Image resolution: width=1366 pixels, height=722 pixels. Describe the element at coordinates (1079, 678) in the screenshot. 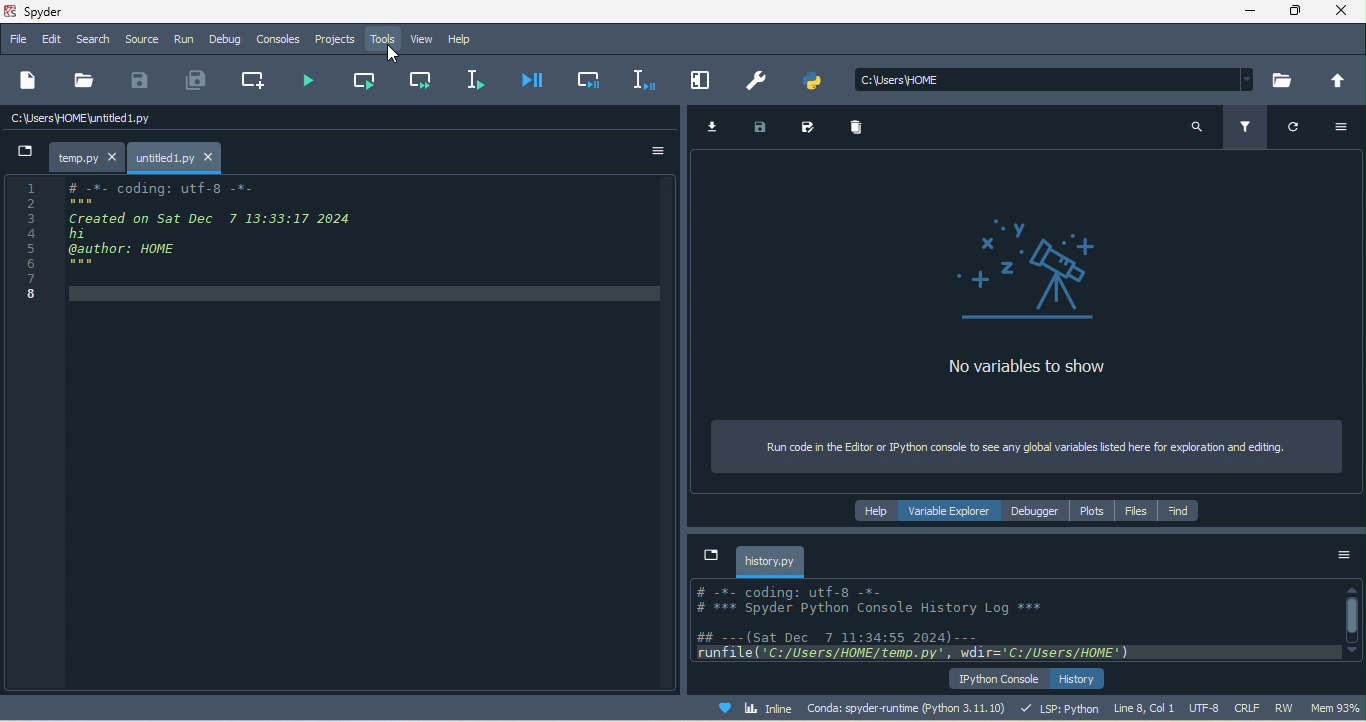

I see `hstory` at that location.